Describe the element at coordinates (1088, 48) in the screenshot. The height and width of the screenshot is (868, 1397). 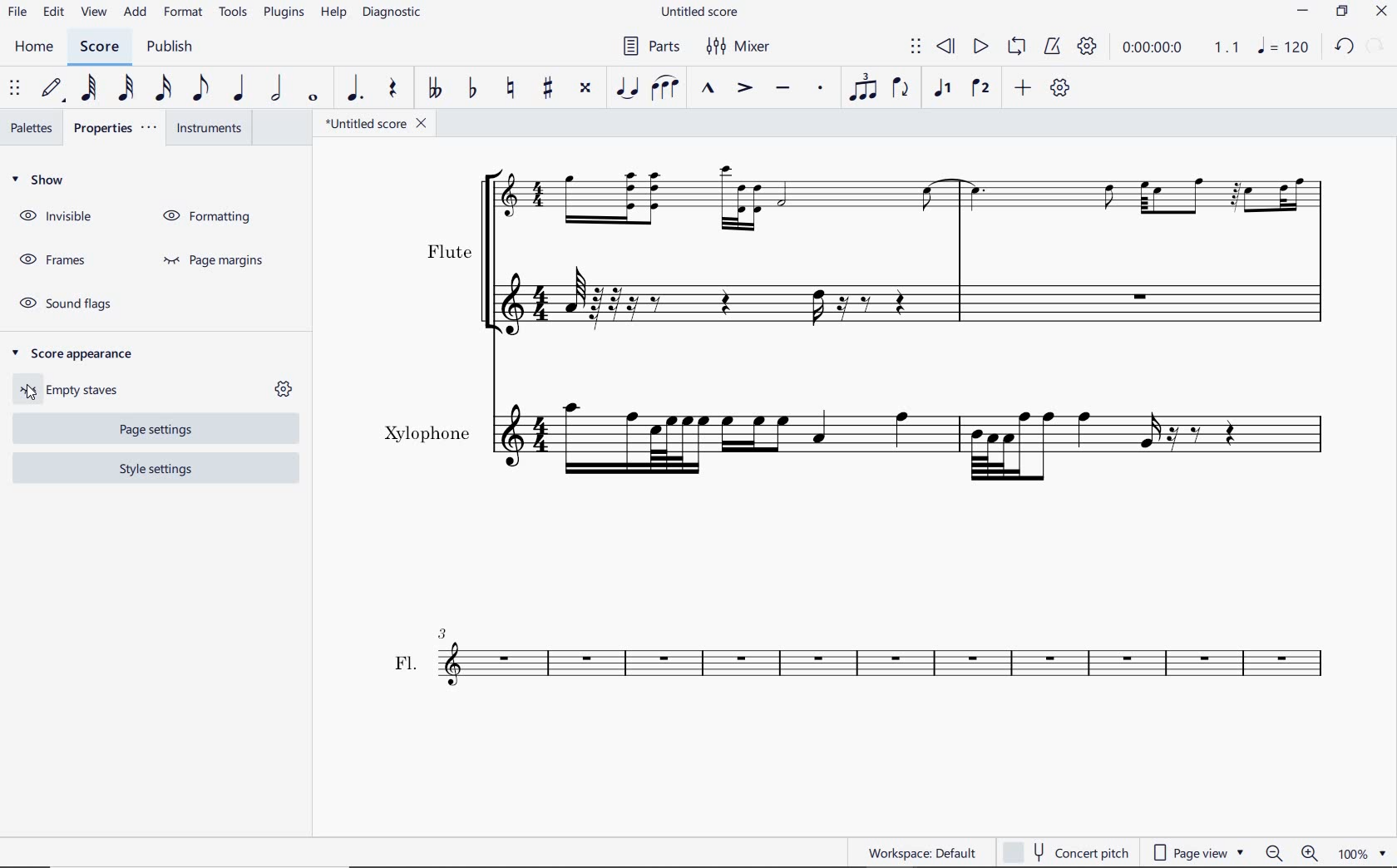
I see `PLAYBACK SETTINGS` at that location.